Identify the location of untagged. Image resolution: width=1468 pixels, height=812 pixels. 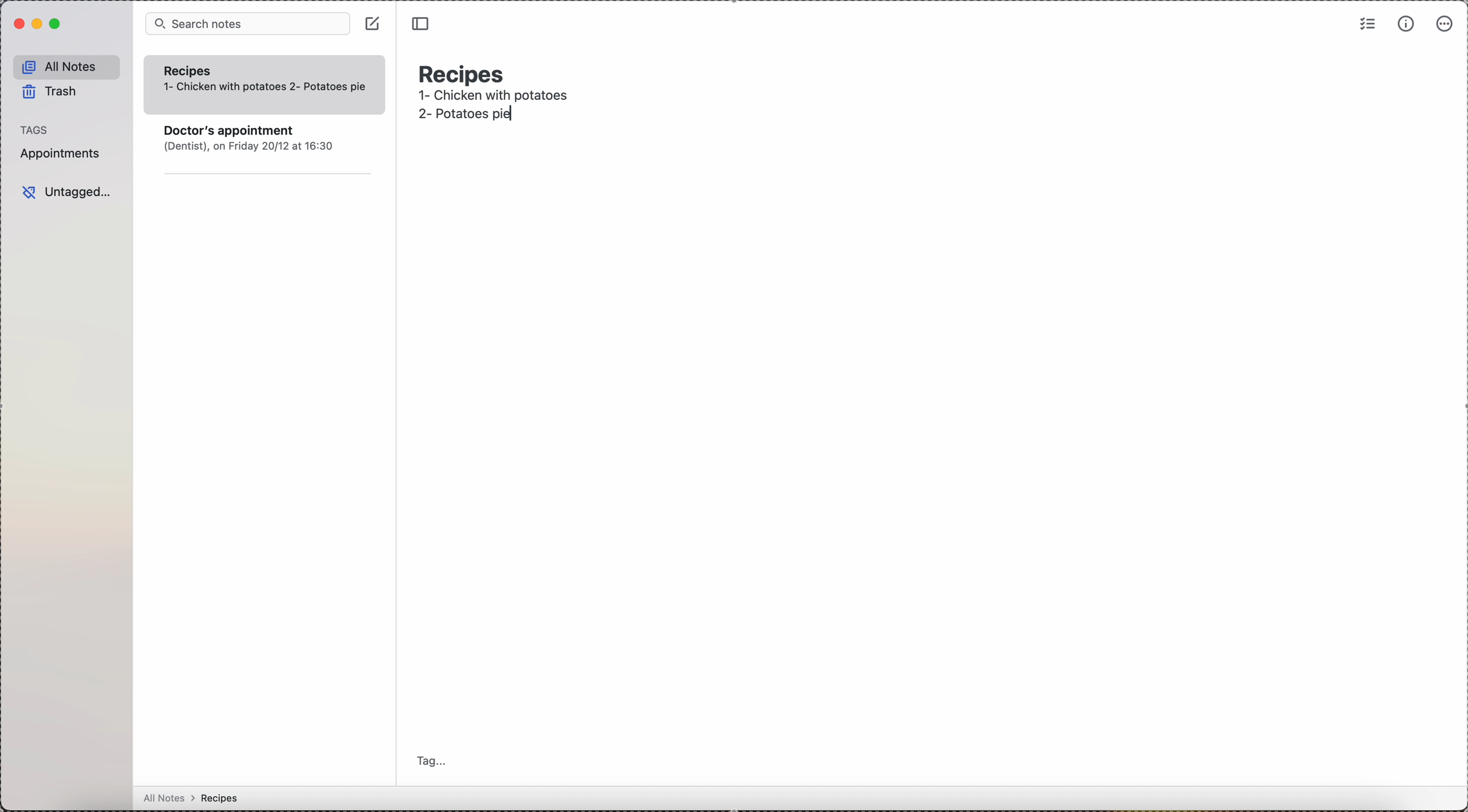
(64, 191).